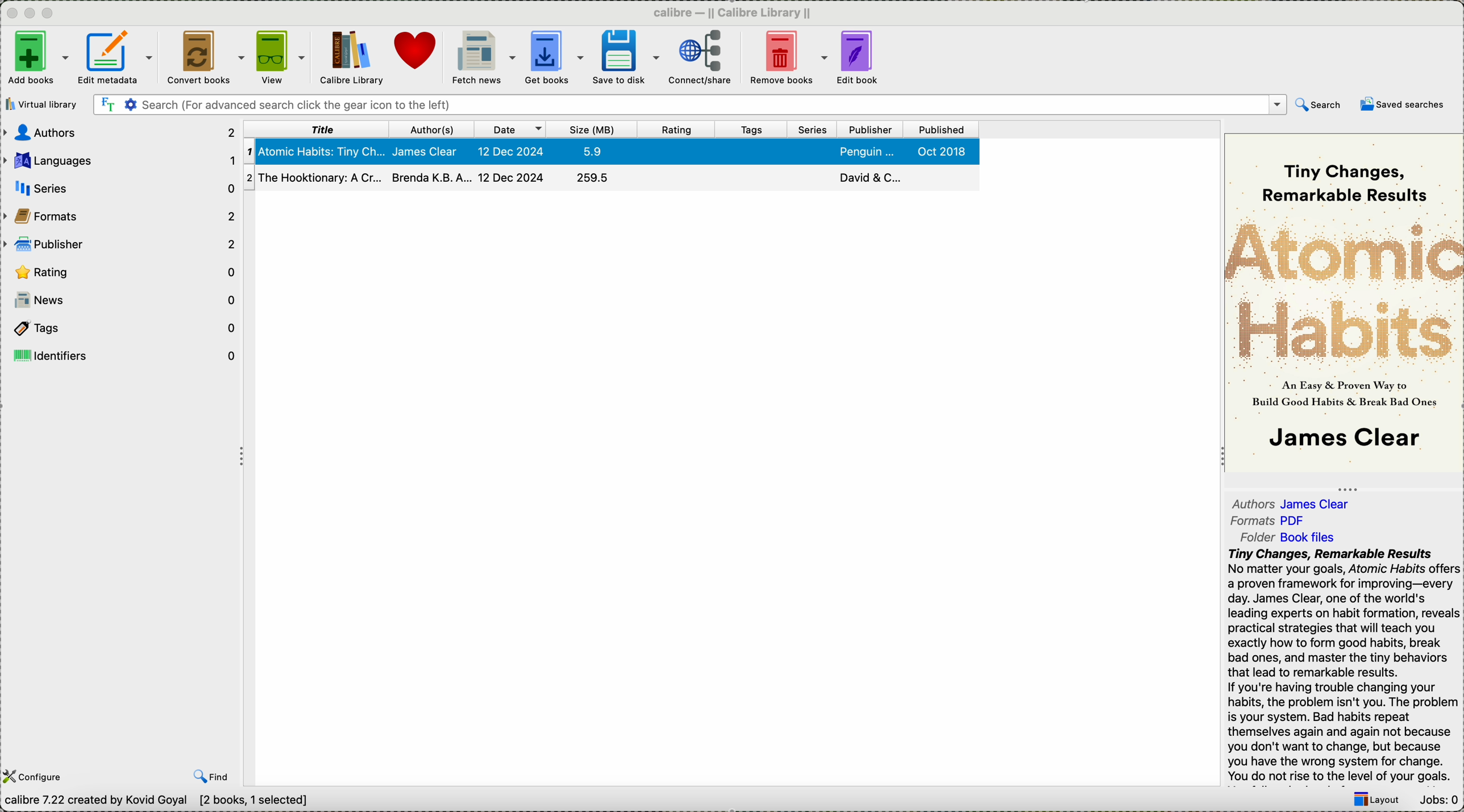  What do you see at coordinates (431, 129) in the screenshot?
I see `author(s)` at bounding box center [431, 129].